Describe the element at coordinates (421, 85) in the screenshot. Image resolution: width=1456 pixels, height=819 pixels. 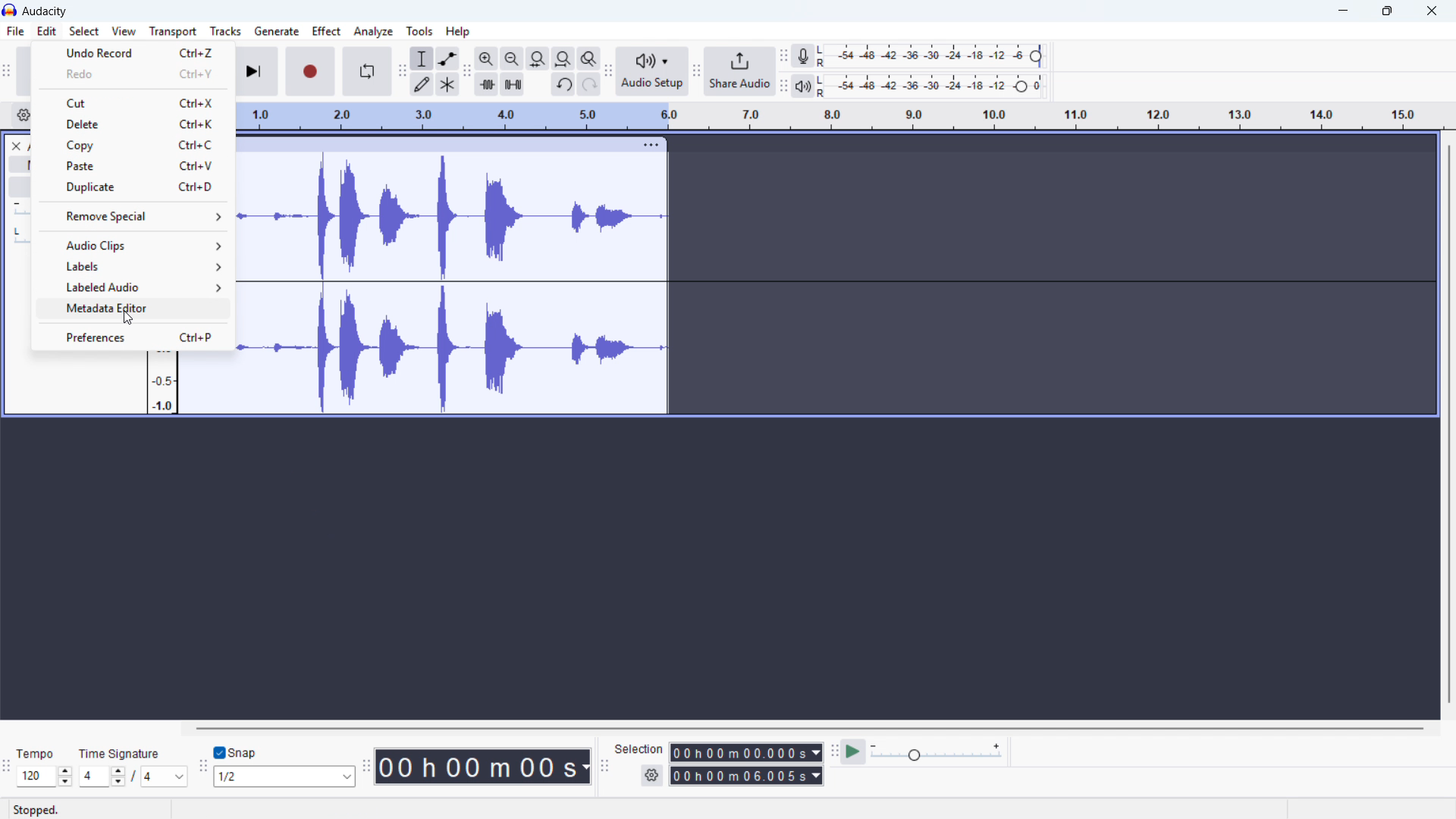
I see `draw tool` at that location.